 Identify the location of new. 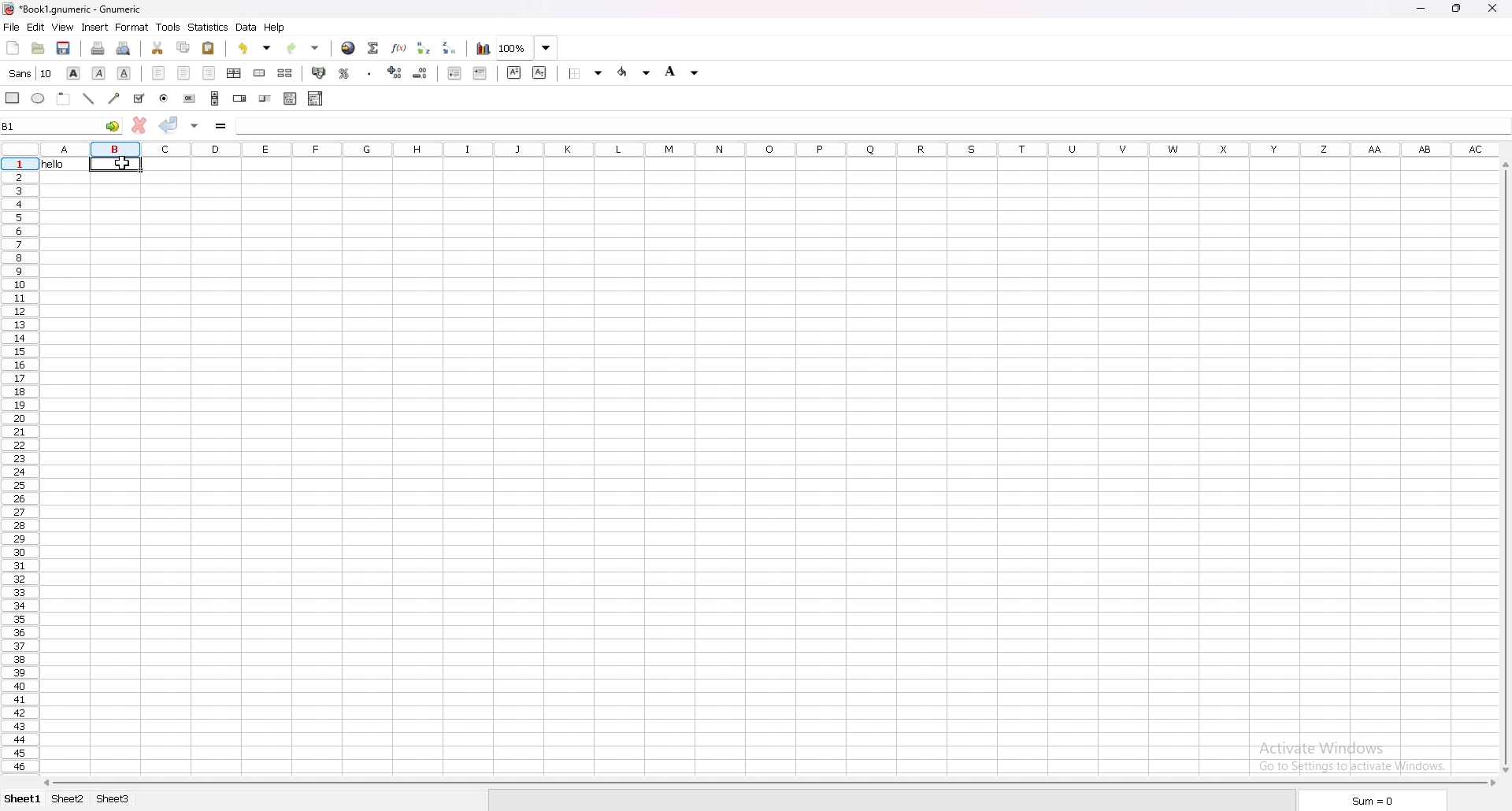
(13, 48).